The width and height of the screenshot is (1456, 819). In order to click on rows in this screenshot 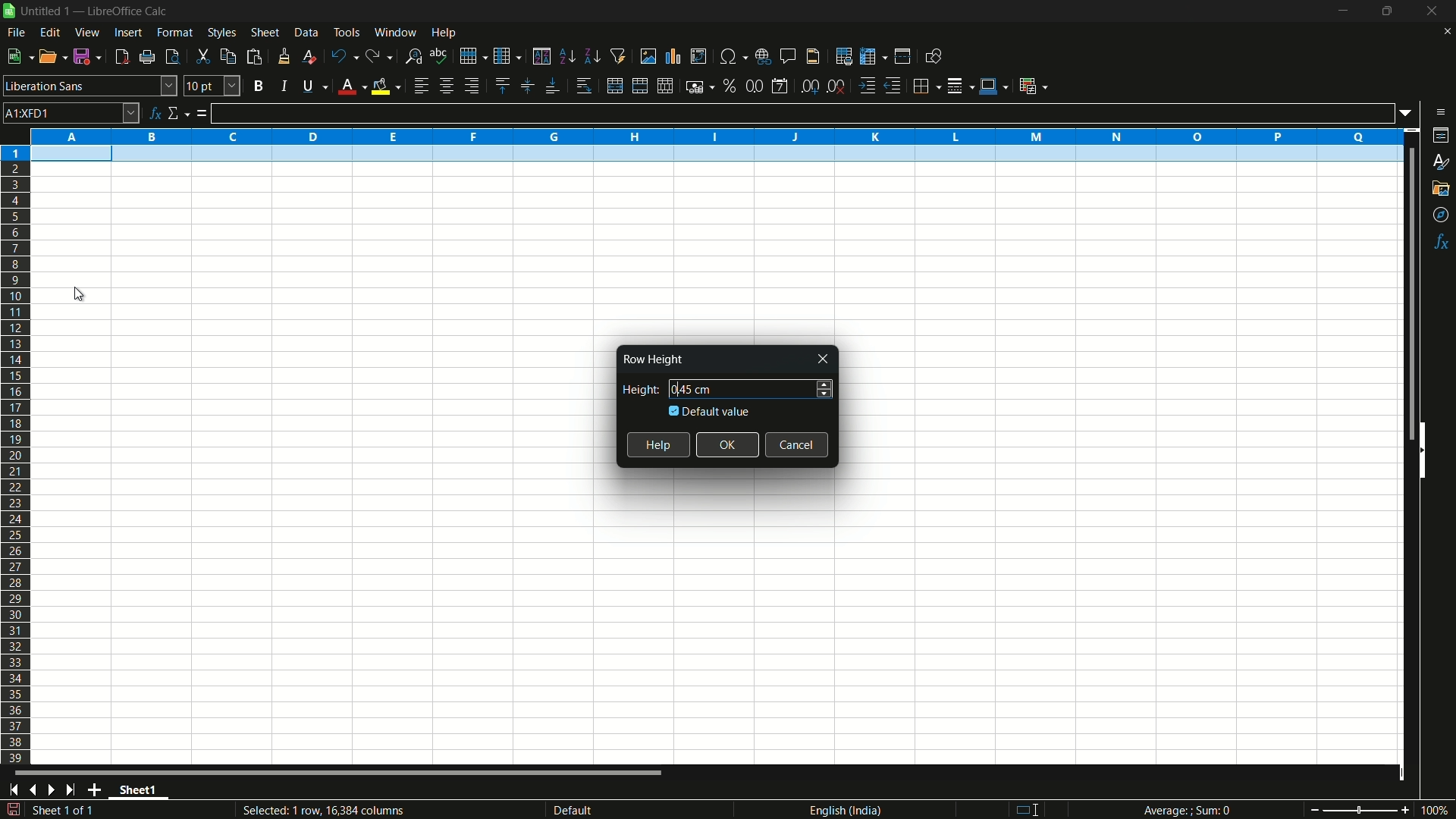, I will do `click(16, 454)`.